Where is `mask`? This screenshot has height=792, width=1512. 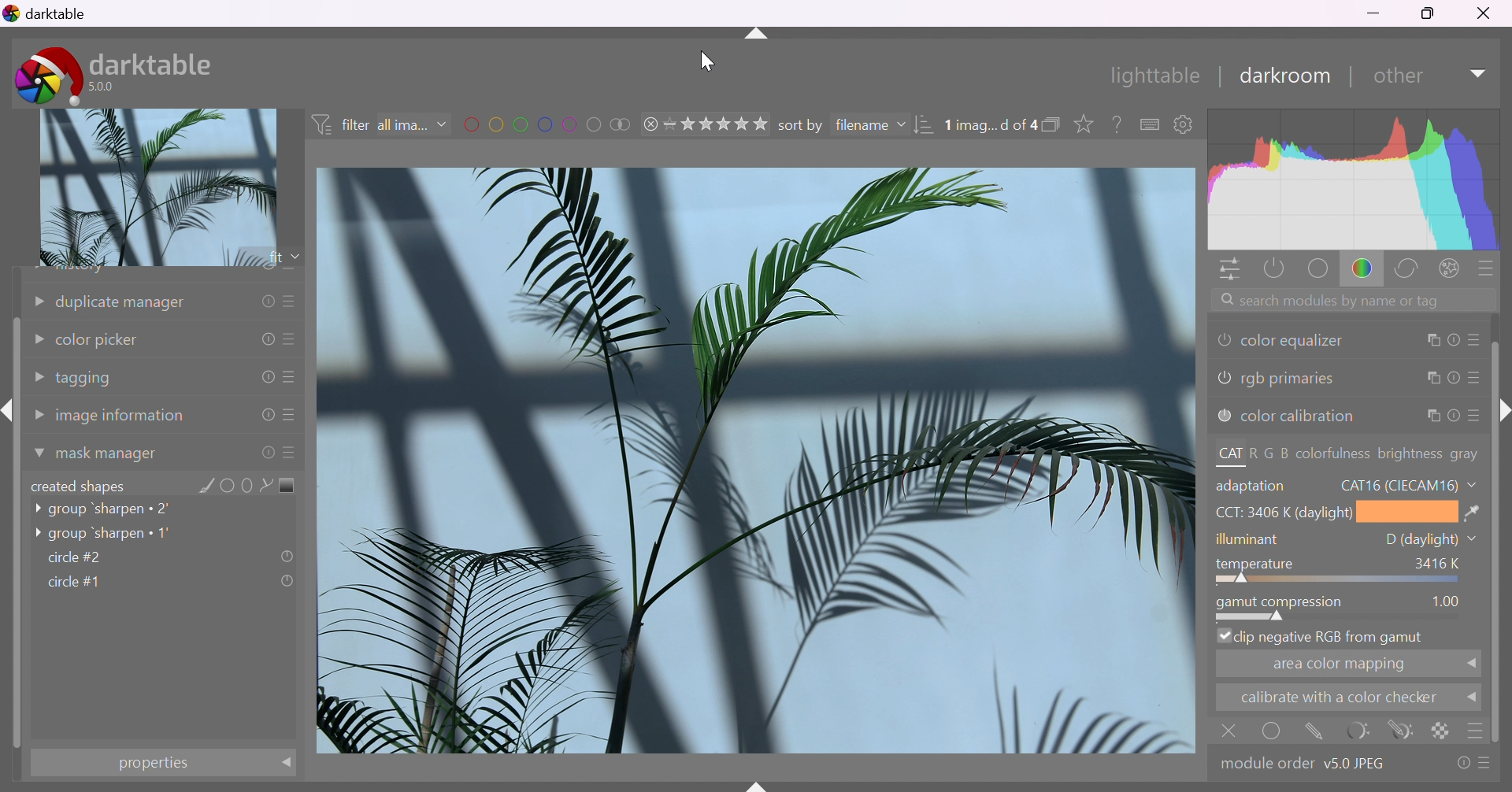 mask is located at coordinates (1309, 733).